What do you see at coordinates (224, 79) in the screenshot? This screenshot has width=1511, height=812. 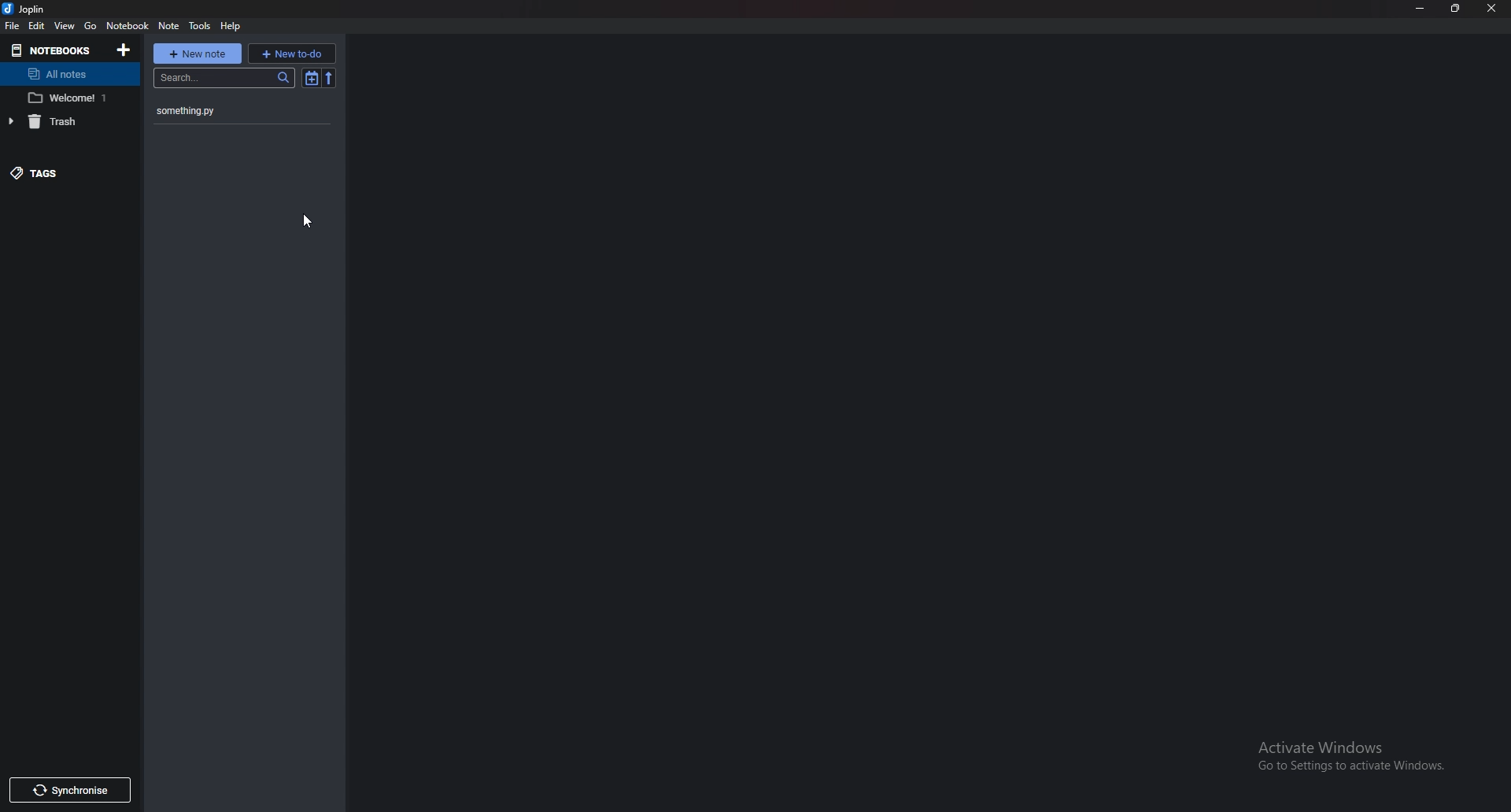 I see `search` at bounding box center [224, 79].